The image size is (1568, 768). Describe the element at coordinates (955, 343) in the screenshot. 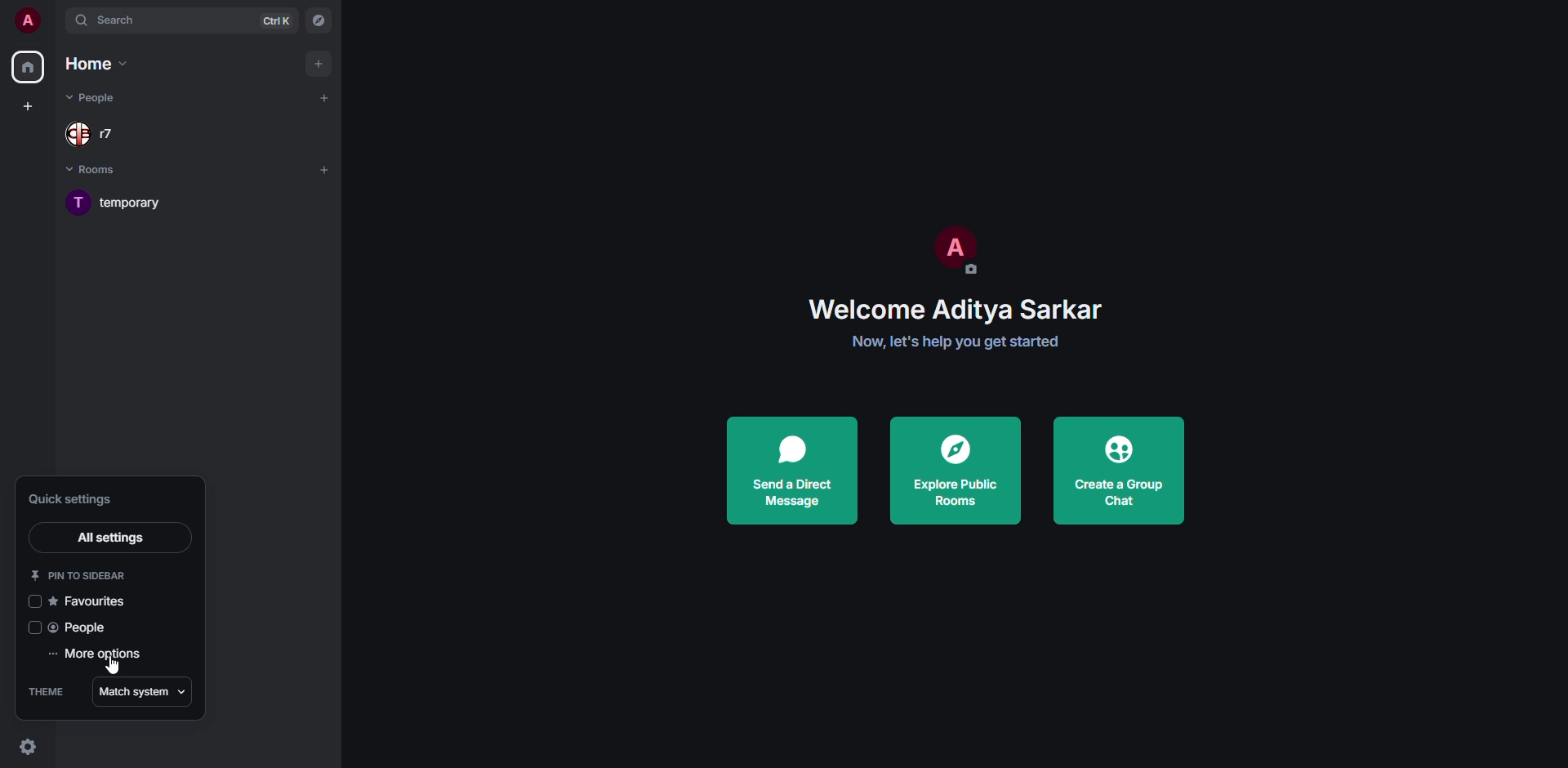

I see `get started` at that location.